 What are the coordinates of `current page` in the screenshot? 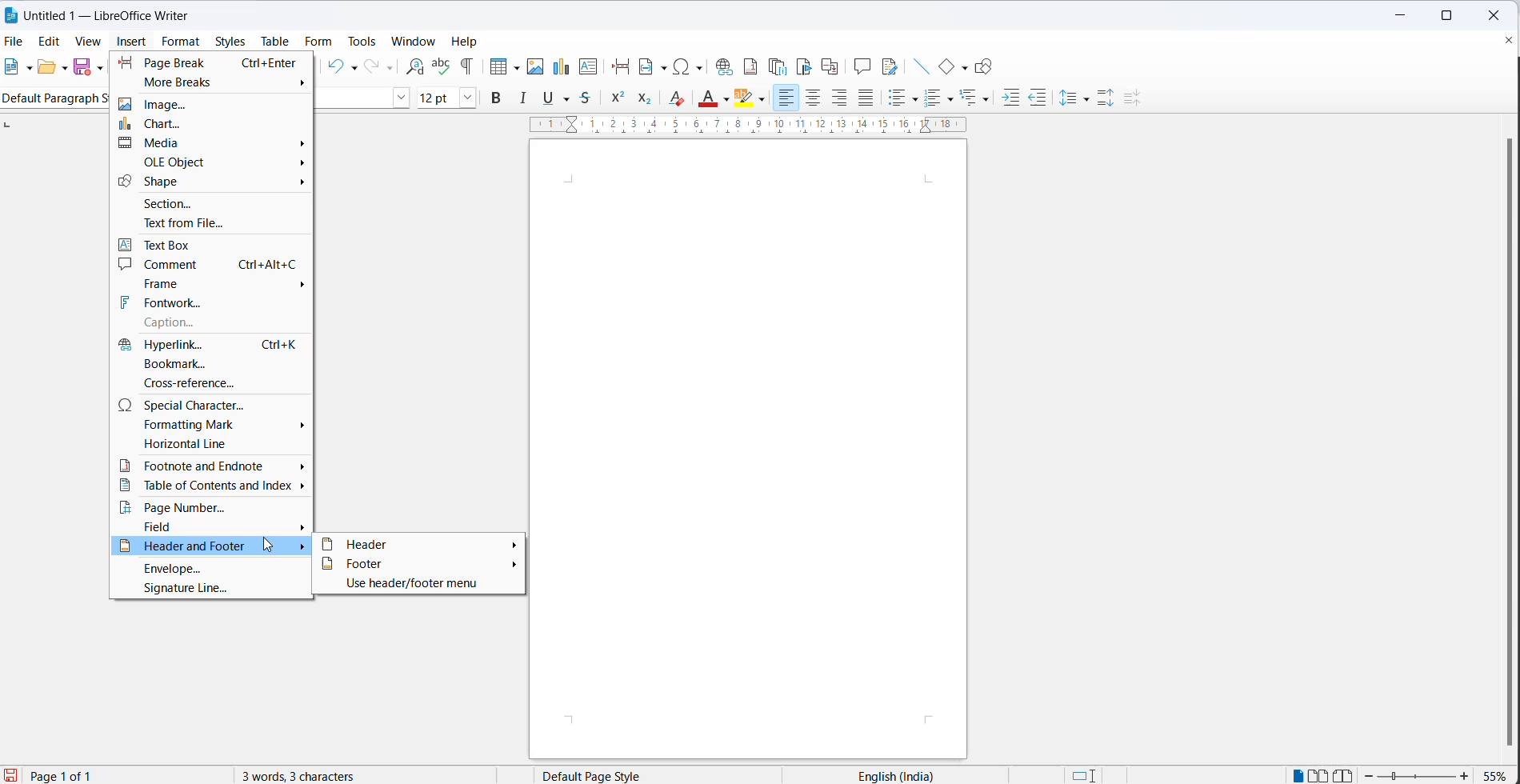 It's located at (69, 776).